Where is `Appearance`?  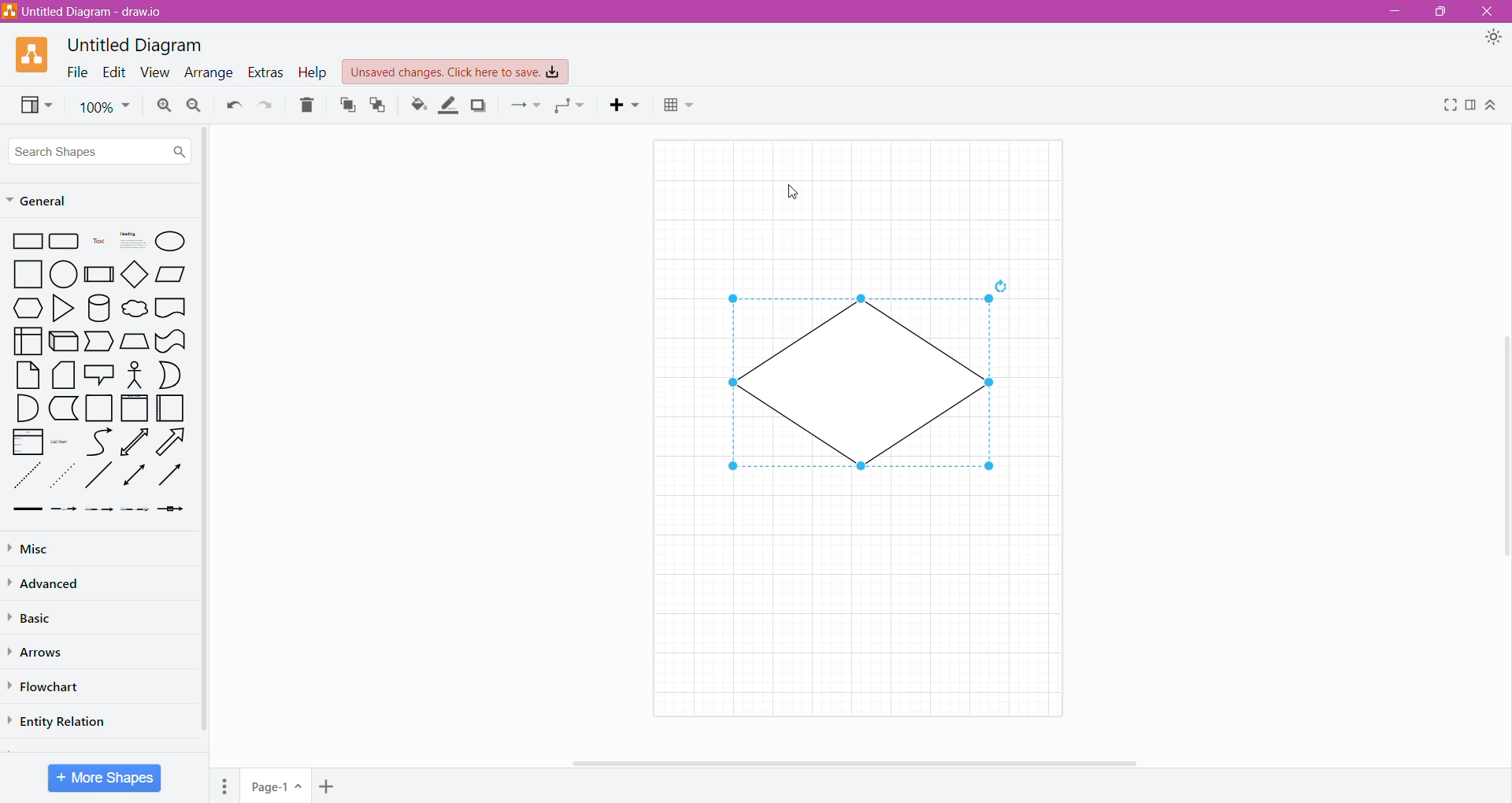 Appearance is located at coordinates (1496, 39).